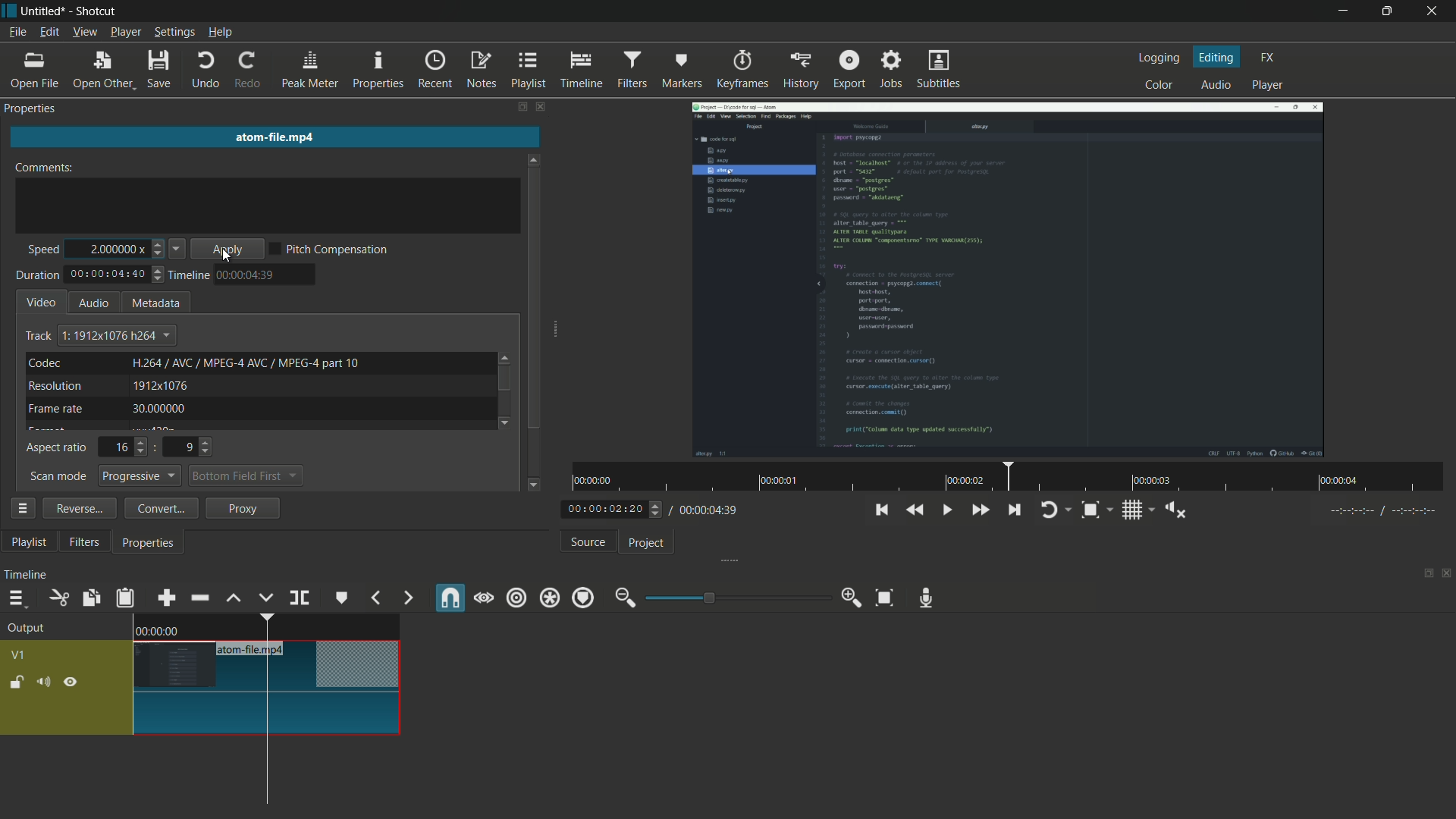 The image size is (1456, 819). I want to click on timeline, so click(187, 276).